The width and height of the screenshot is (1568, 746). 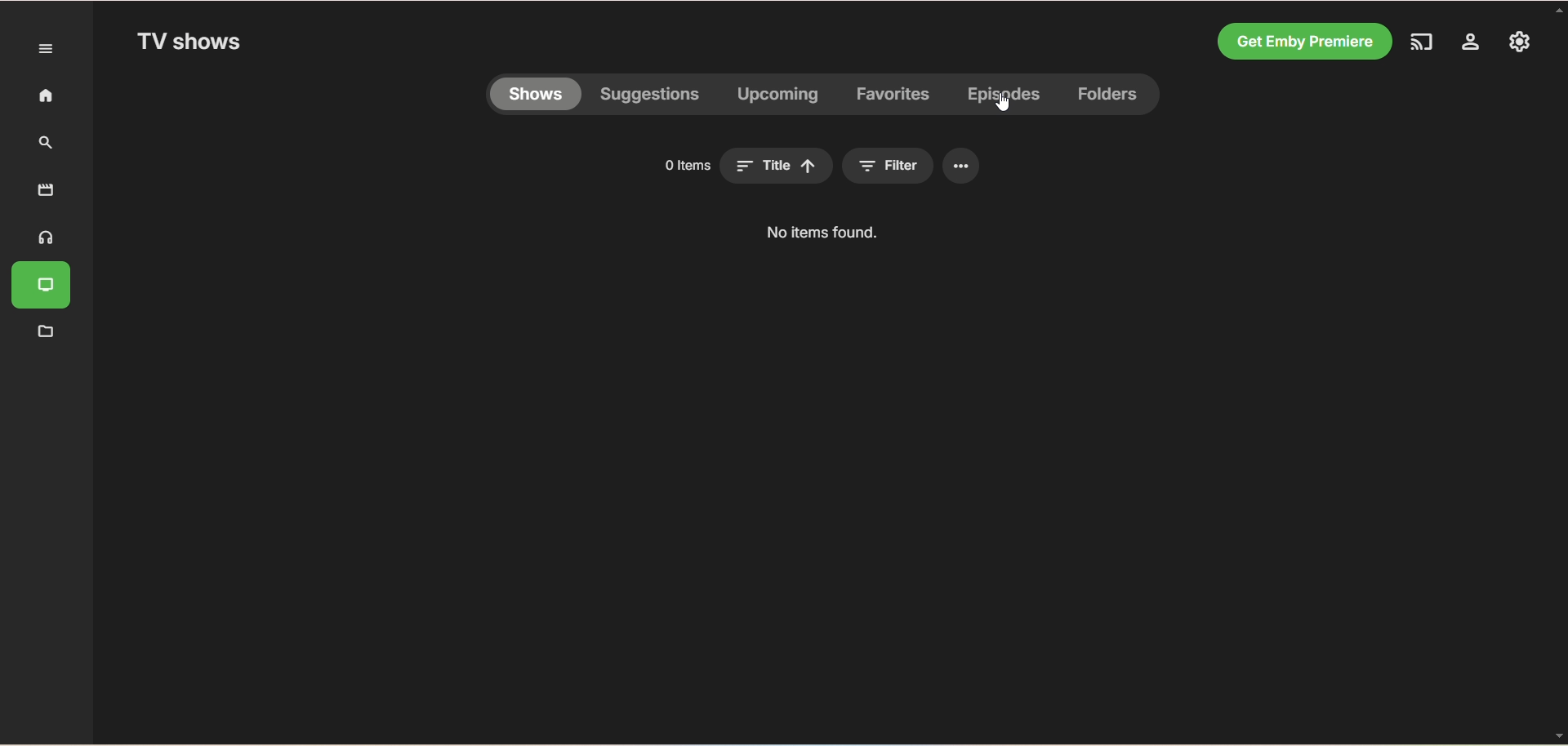 What do you see at coordinates (776, 96) in the screenshot?
I see `upcoming` at bounding box center [776, 96].